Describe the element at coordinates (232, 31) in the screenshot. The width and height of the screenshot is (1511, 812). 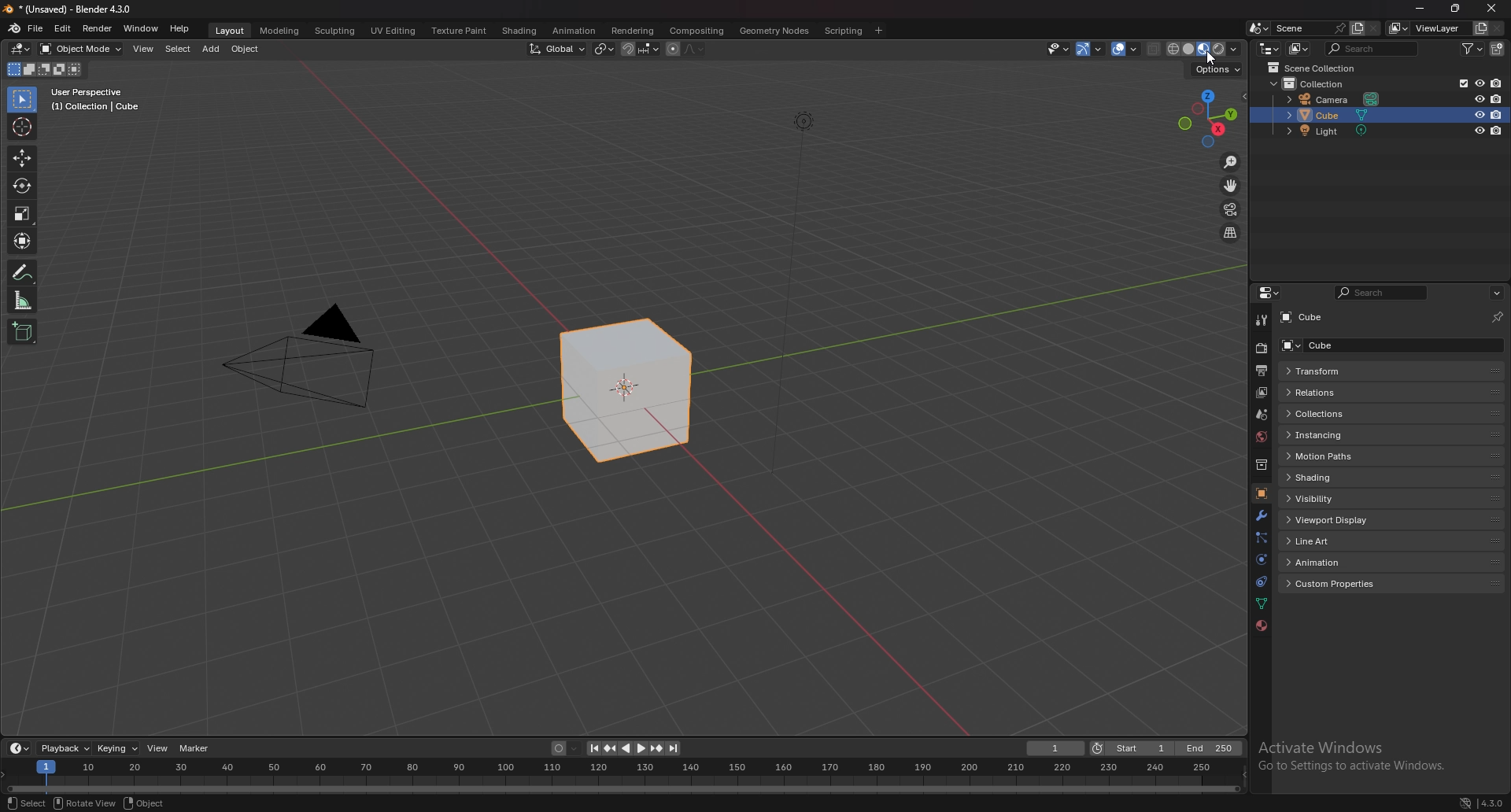
I see `layout` at that location.